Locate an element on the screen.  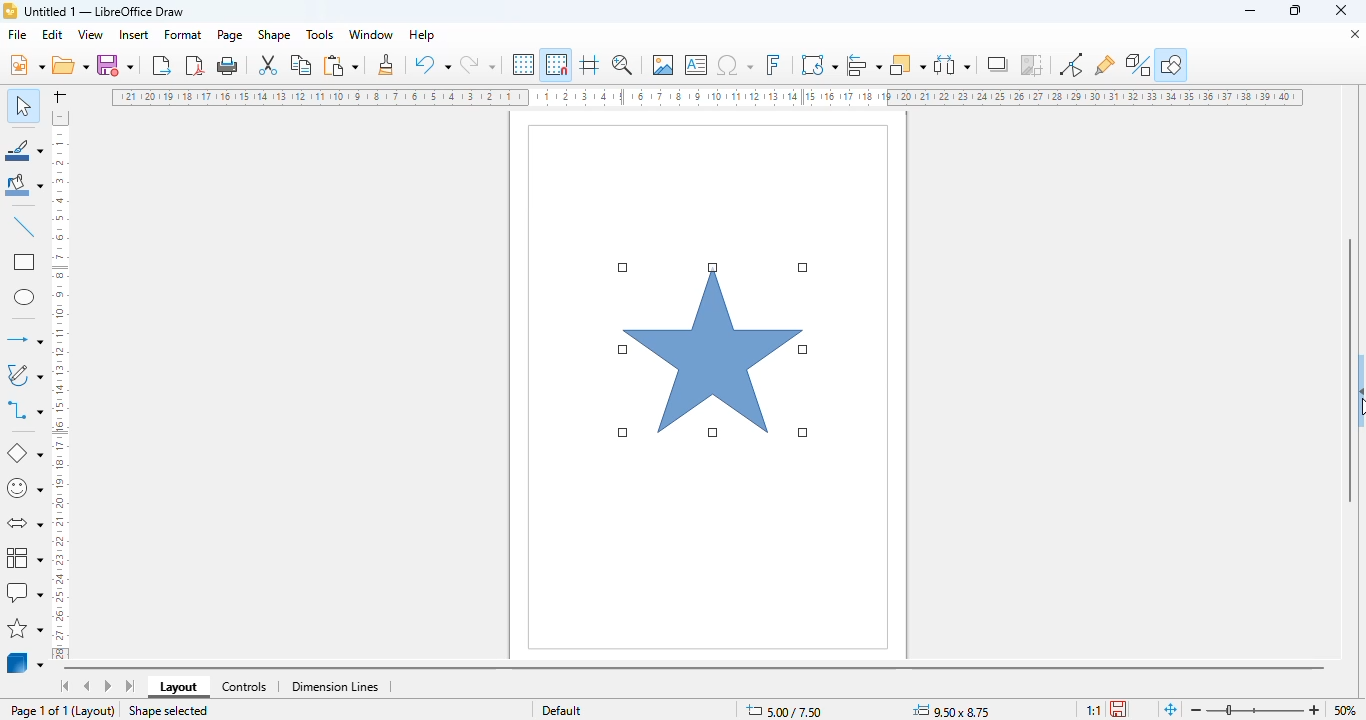
insert special characters is located at coordinates (735, 65).